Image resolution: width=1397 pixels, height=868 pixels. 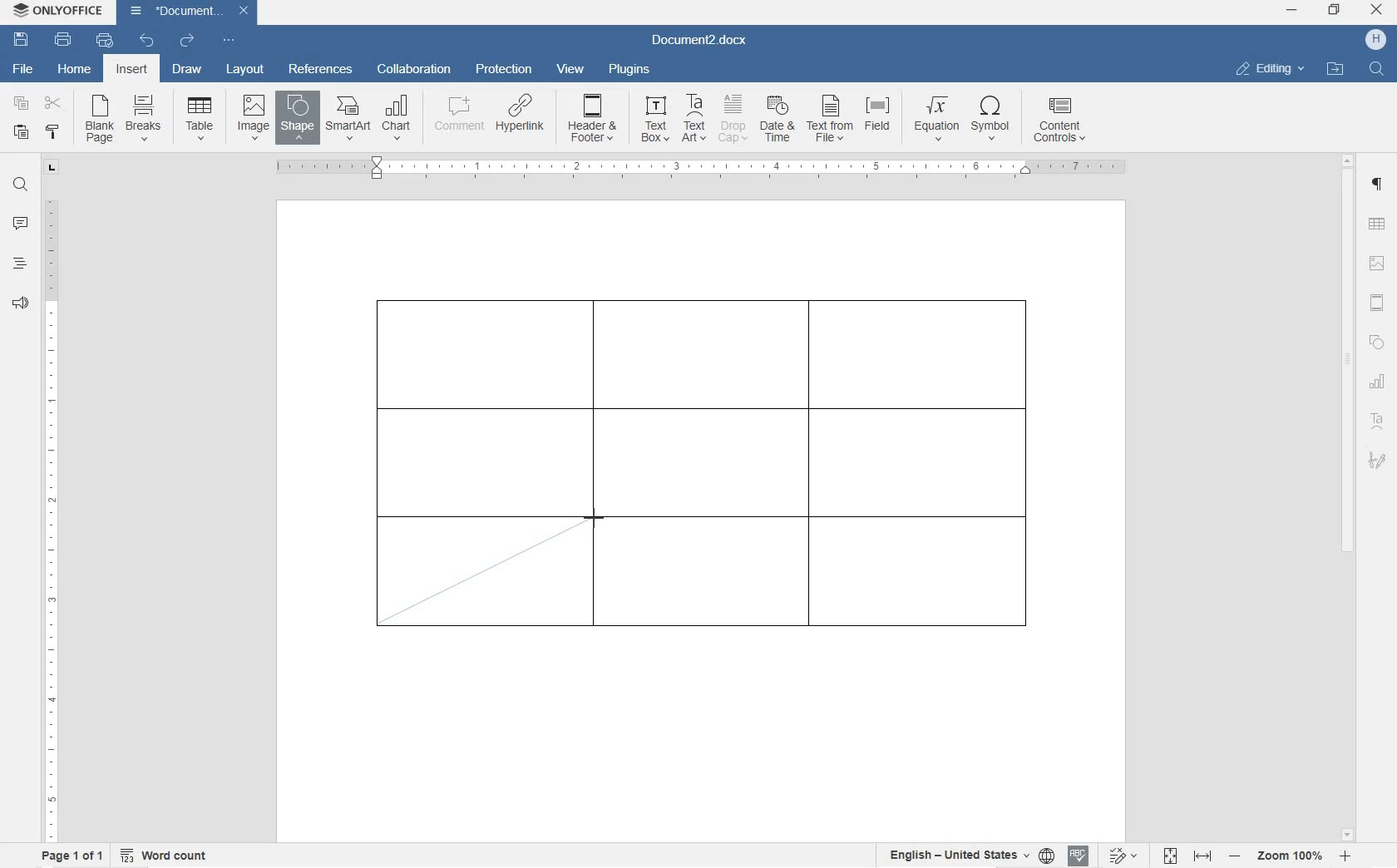 What do you see at coordinates (734, 121) in the screenshot?
I see `DROP CAP` at bounding box center [734, 121].